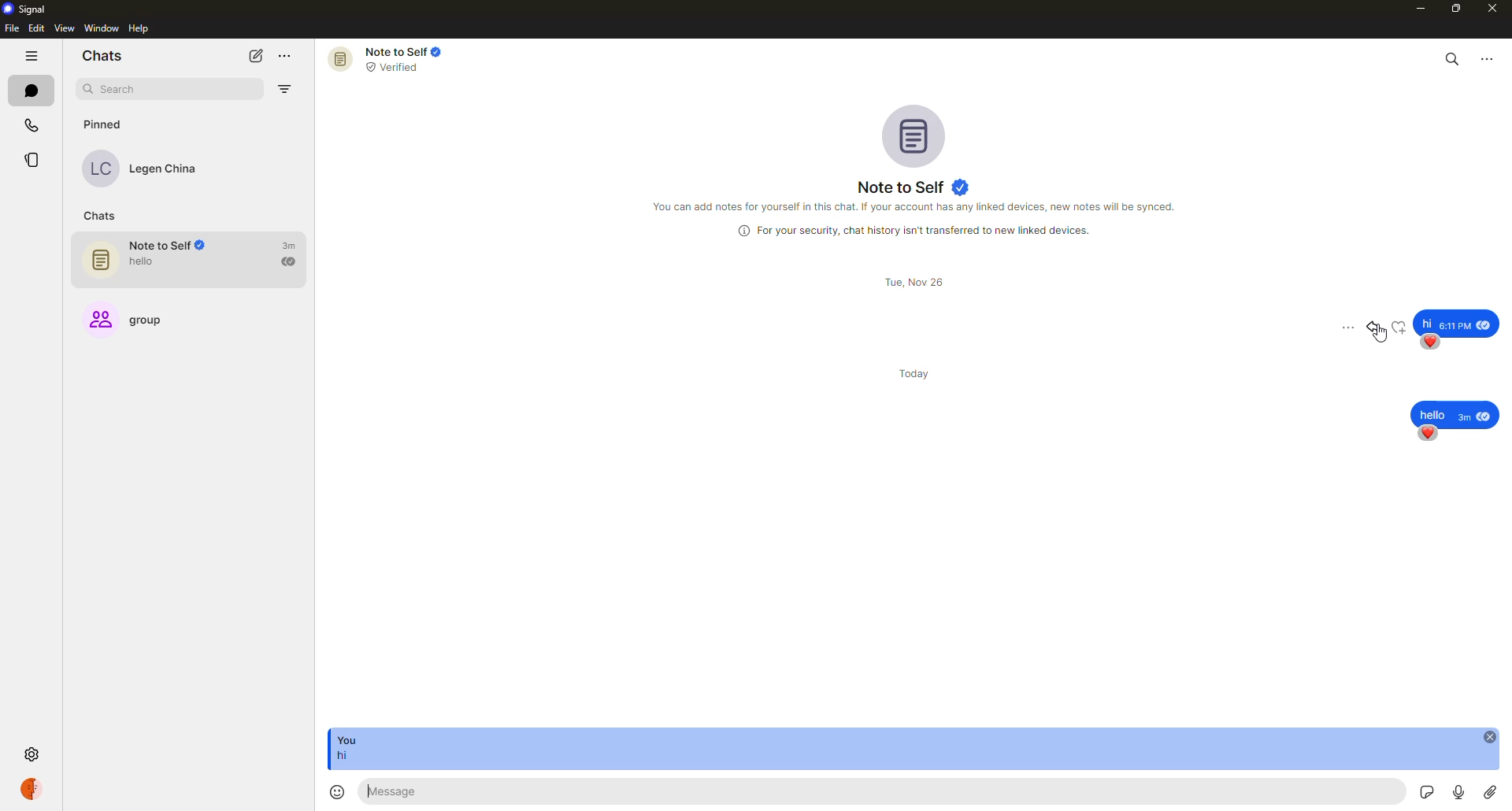 The height and width of the screenshot is (811, 1512). What do you see at coordinates (919, 207) in the screenshot?
I see `info` at bounding box center [919, 207].